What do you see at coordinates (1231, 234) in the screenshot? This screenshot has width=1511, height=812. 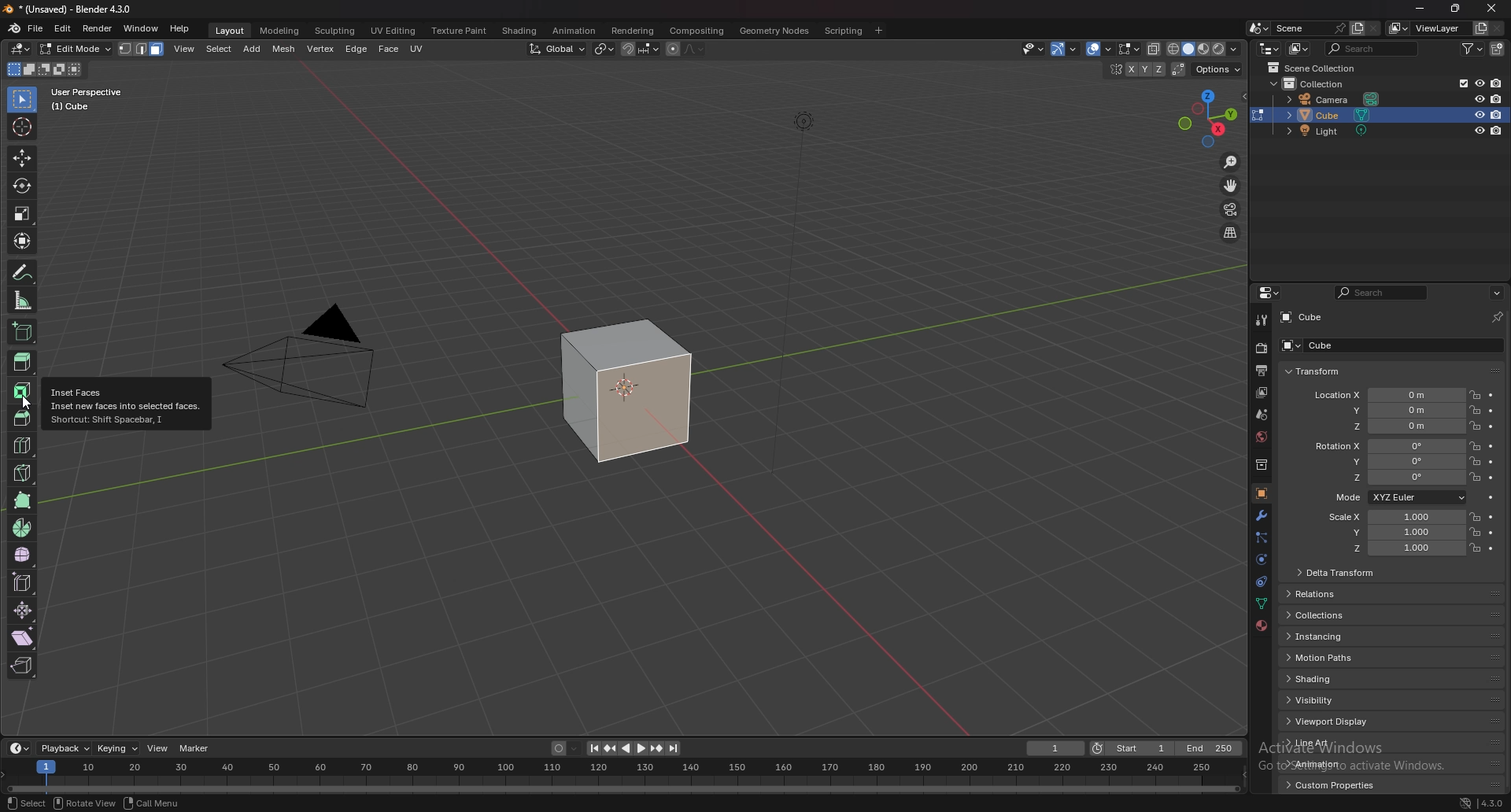 I see `orthographic/perspective` at bounding box center [1231, 234].